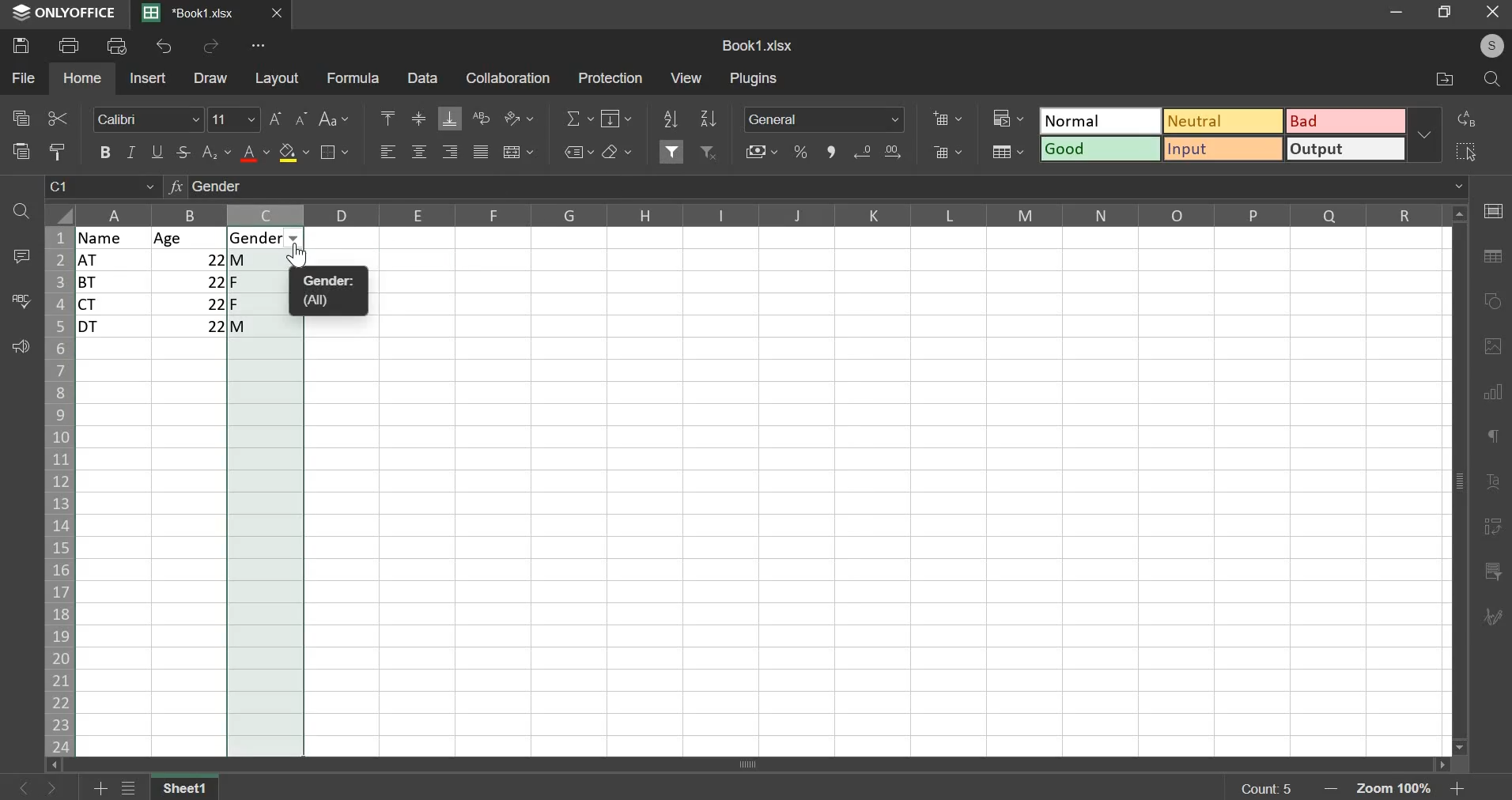  What do you see at coordinates (278, 13) in the screenshot?
I see `closes` at bounding box center [278, 13].